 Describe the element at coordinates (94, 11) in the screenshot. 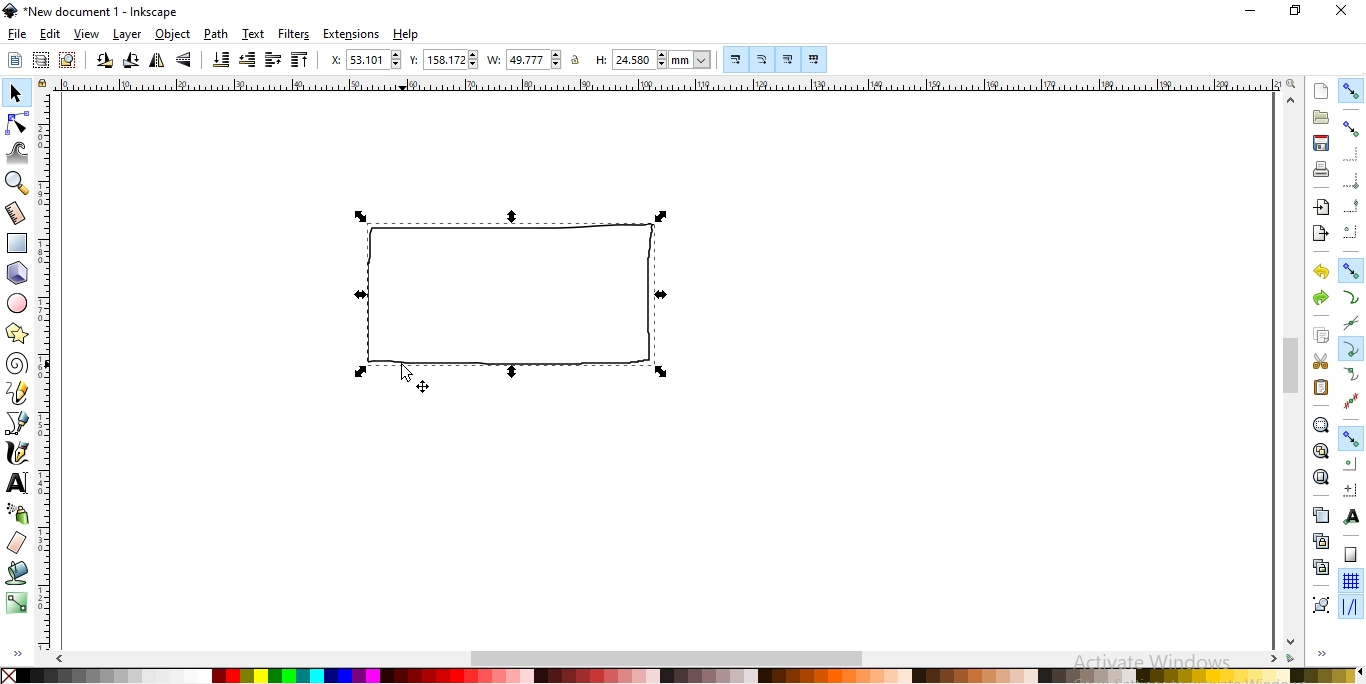

I see `new document 1 -Inkscape` at that location.